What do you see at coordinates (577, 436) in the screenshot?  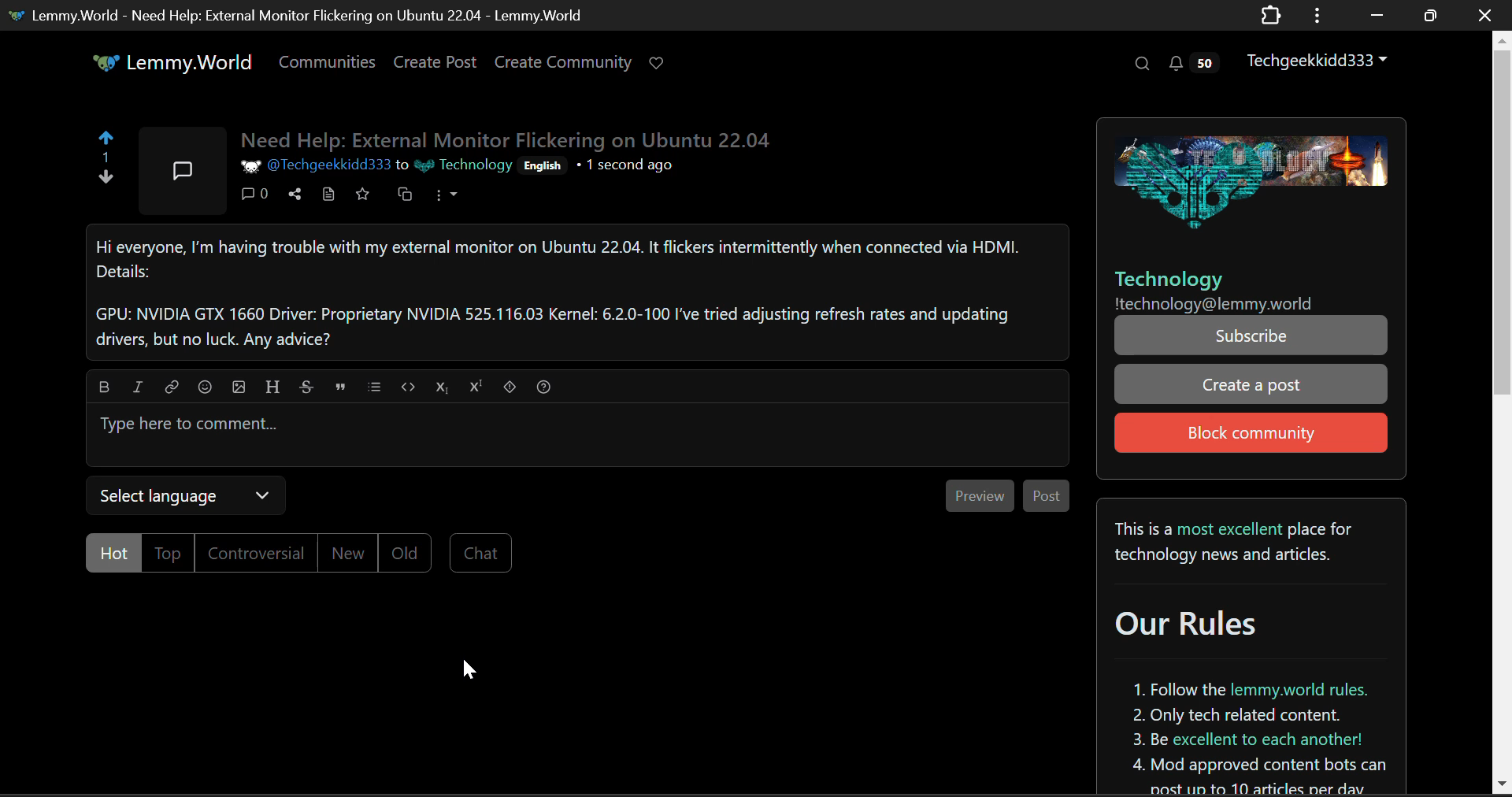 I see `Comment Editing Workpace` at bounding box center [577, 436].